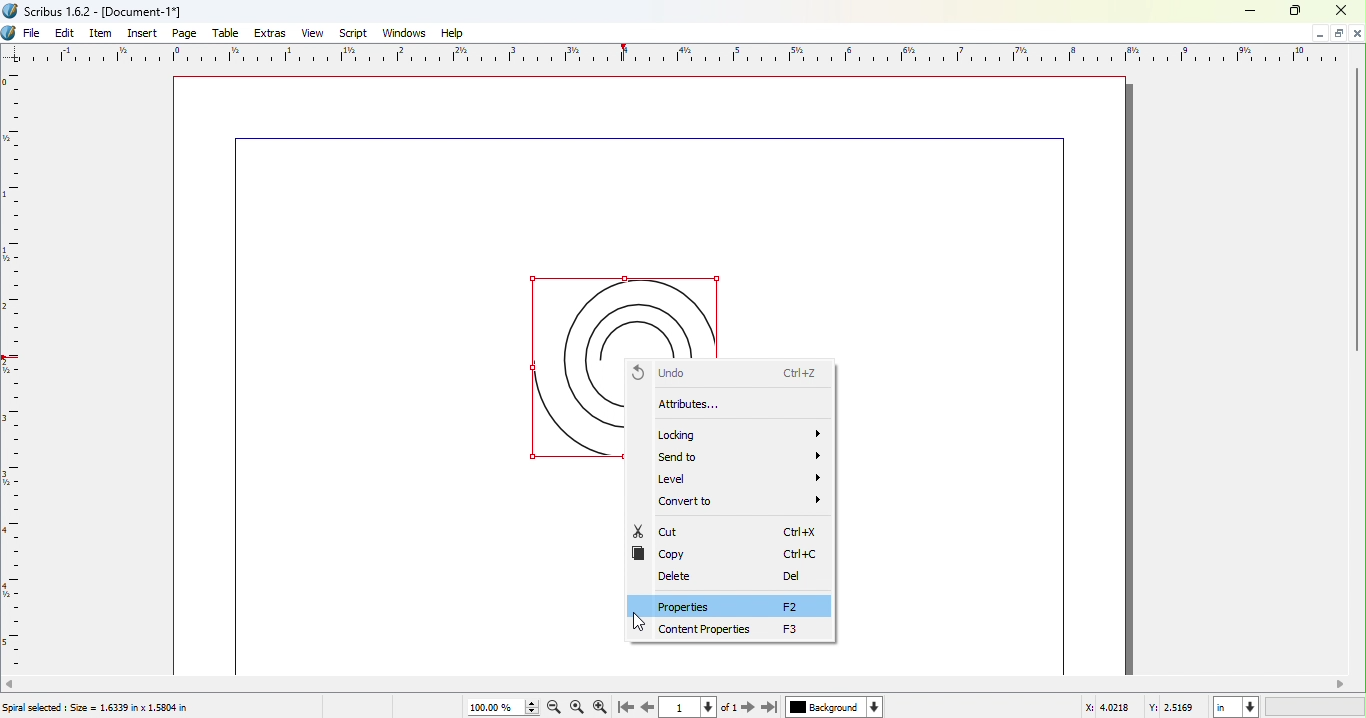  Describe the element at coordinates (744, 504) in the screenshot. I see `Convert` at that location.